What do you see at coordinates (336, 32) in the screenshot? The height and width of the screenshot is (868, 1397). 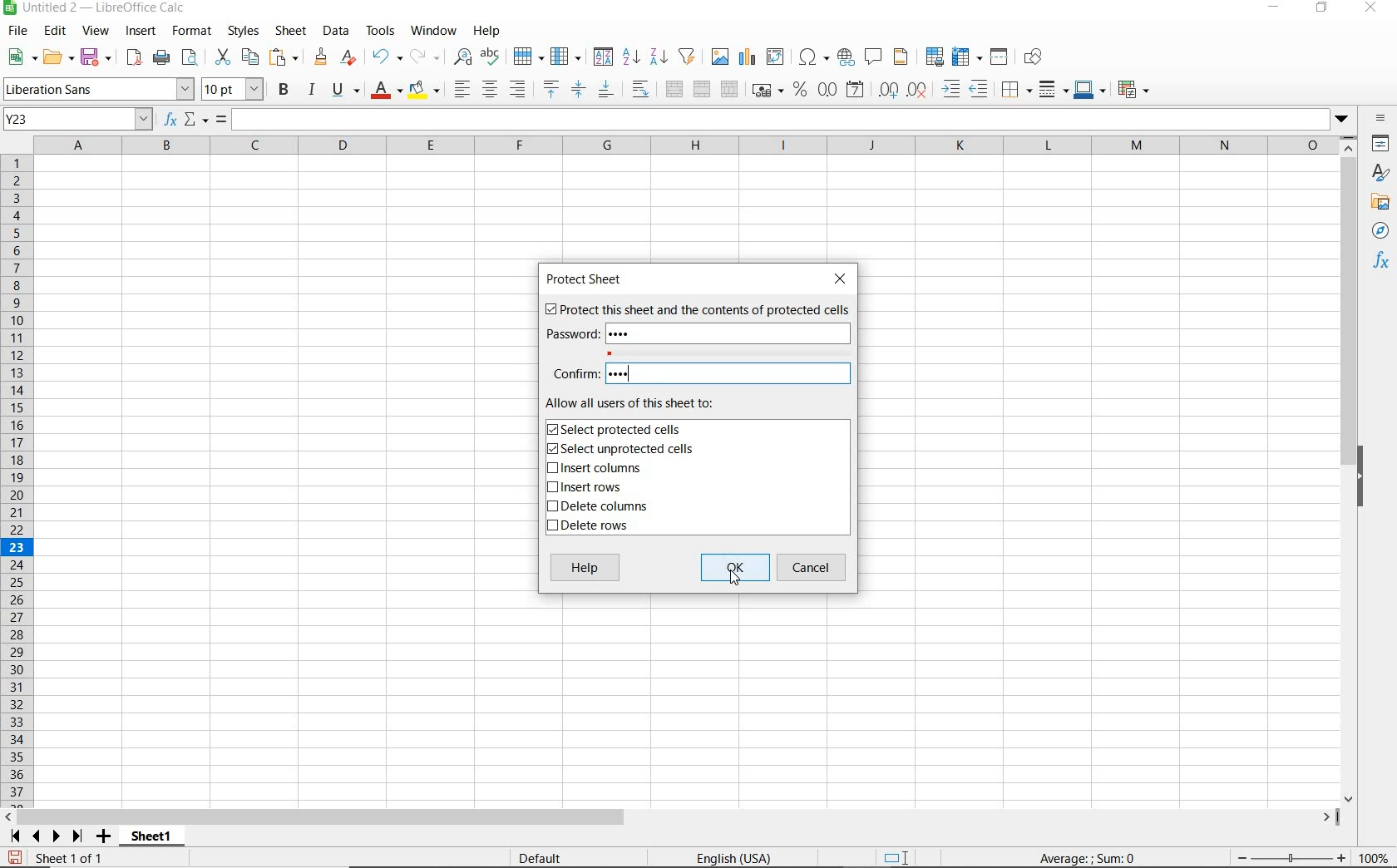 I see `DATA` at bounding box center [336, 32].